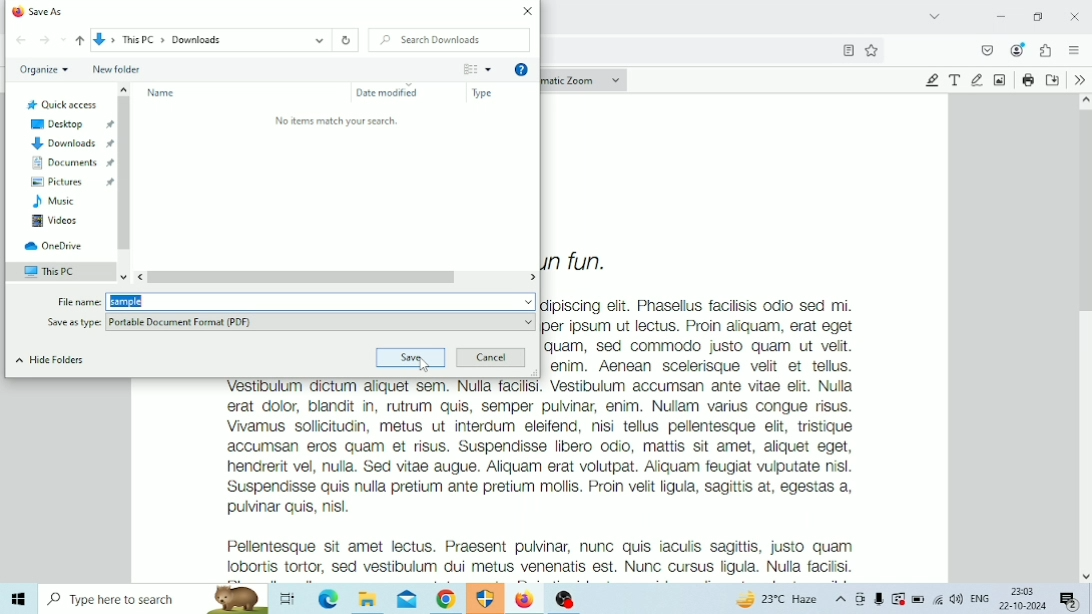  Describe the element at coordinates (841, 599) in the screenshot. I see `Show hidden icons` at that location.